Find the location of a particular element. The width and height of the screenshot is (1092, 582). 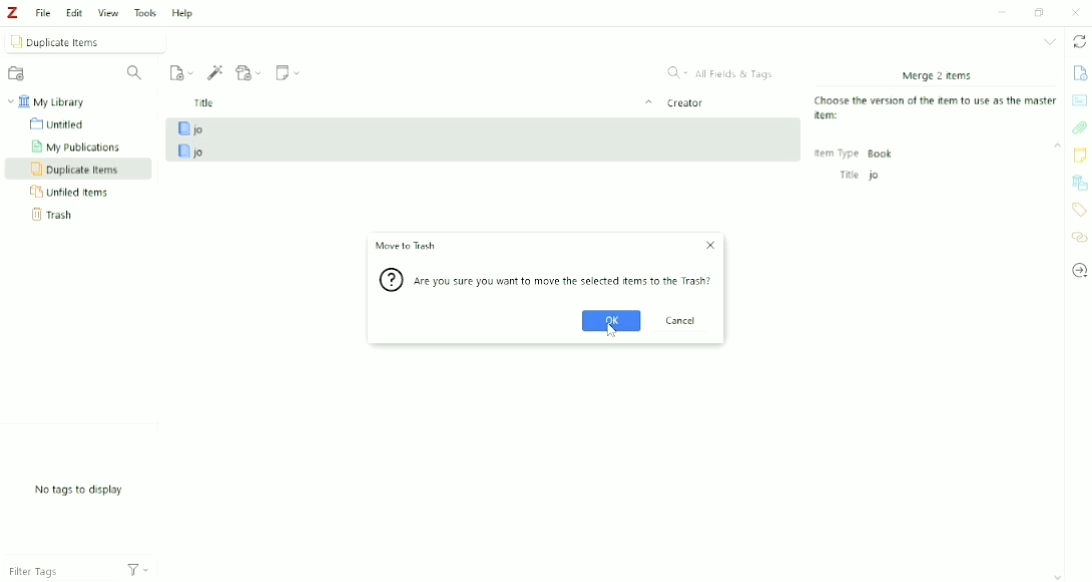

Related is located at coordinates (1078, 238).